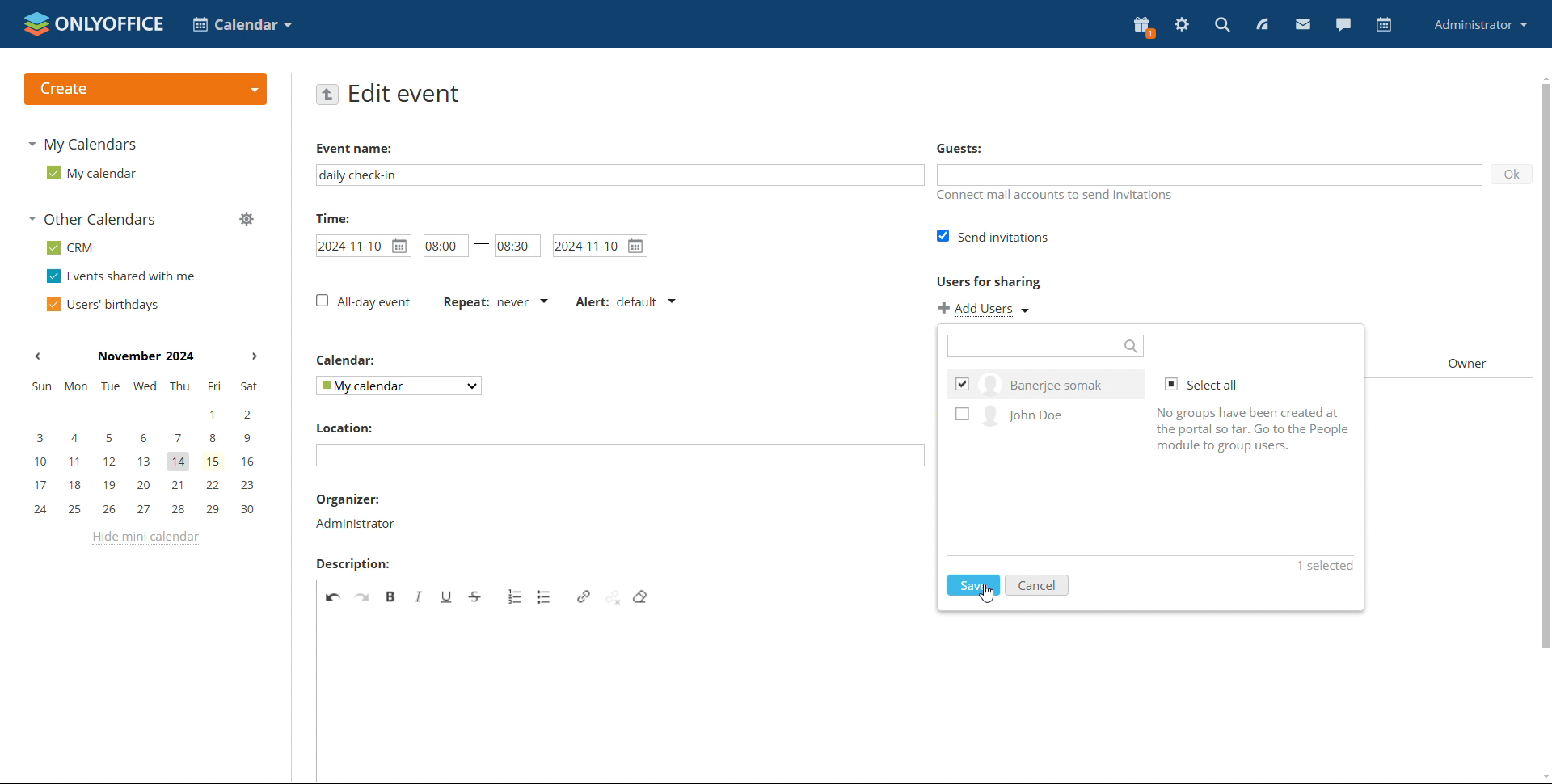 The height and width of the screenshot is (784, 1552). What do you see at coordinates (1343, 24) in the screenshot?
I see `chat` at bounding box center [1343, 24].